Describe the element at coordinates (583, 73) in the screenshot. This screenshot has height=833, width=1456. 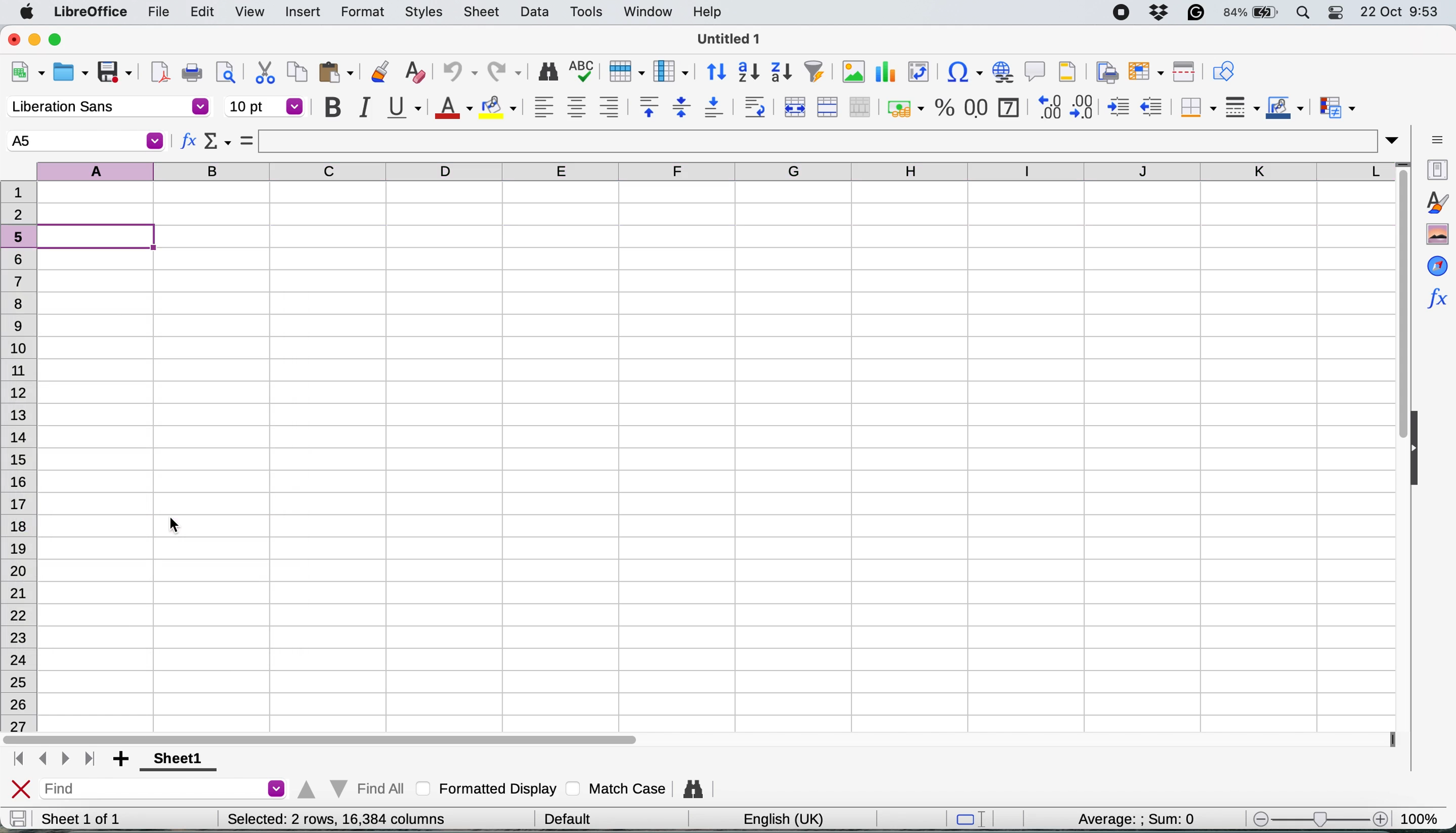
I see `spelling` at that location.